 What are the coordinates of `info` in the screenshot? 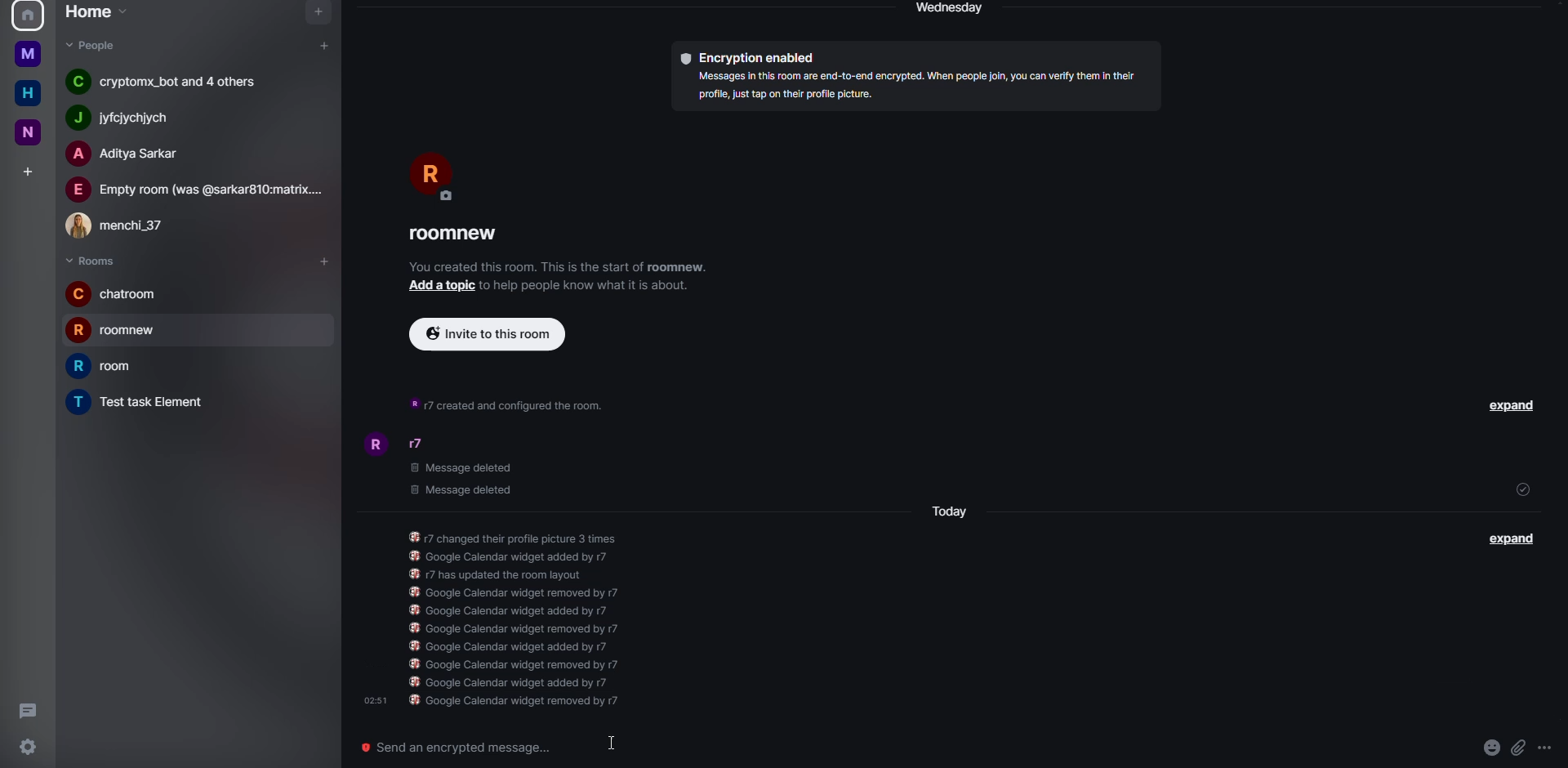 It's located at (559, 268).